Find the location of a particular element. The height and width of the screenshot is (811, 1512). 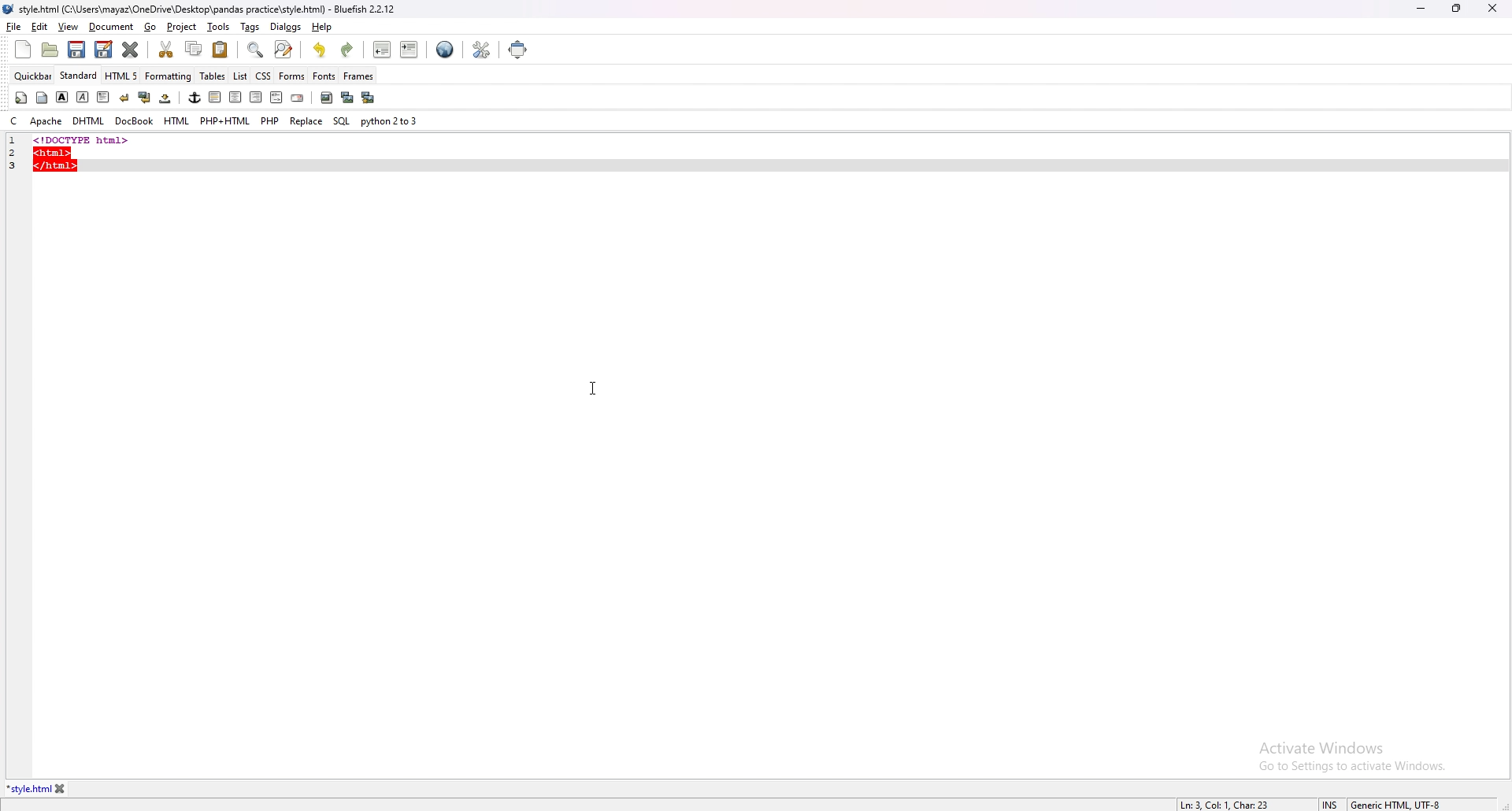

paragraph is located at coordinates (102, 96).